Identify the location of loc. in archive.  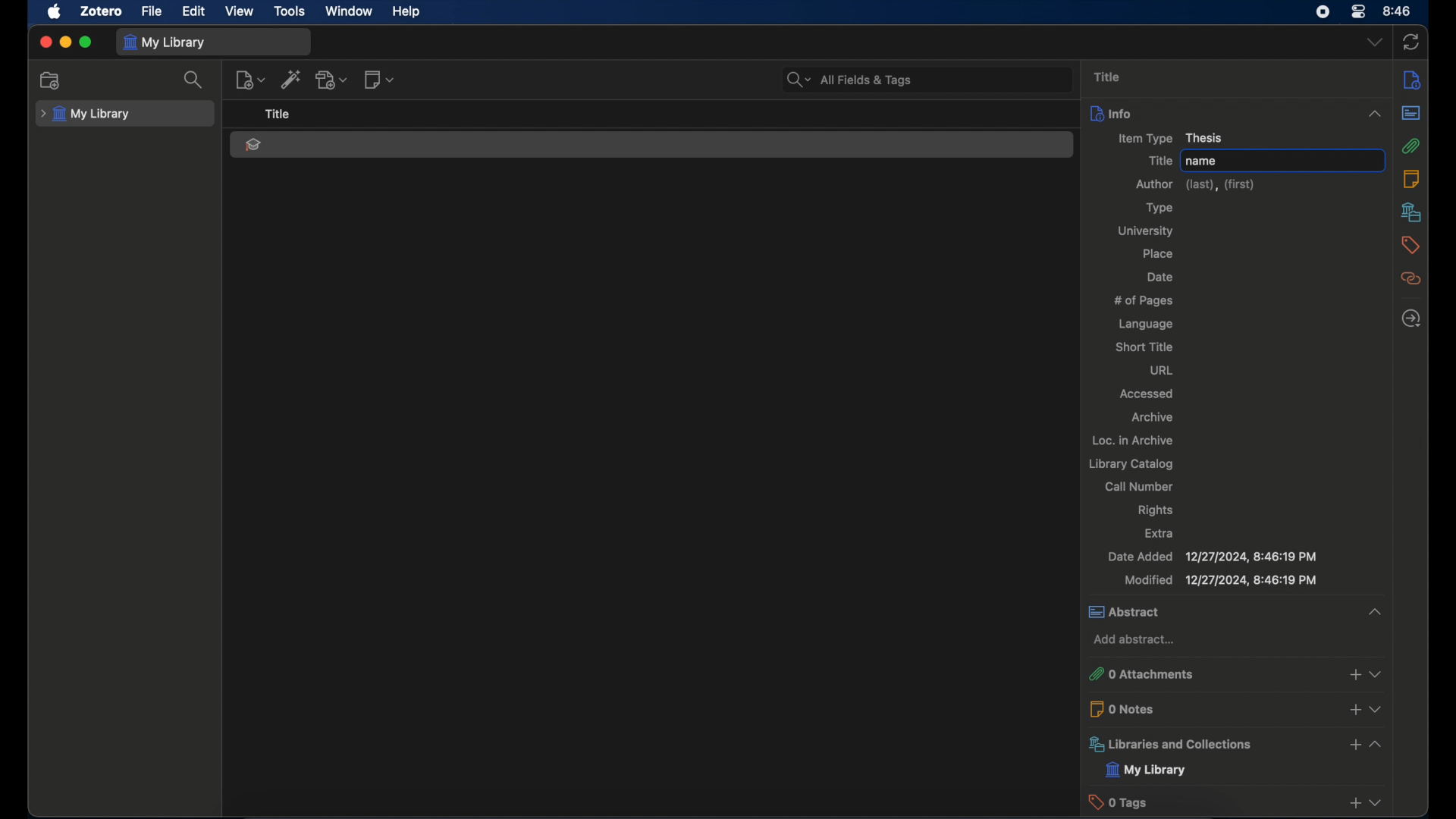
(1132, 441).